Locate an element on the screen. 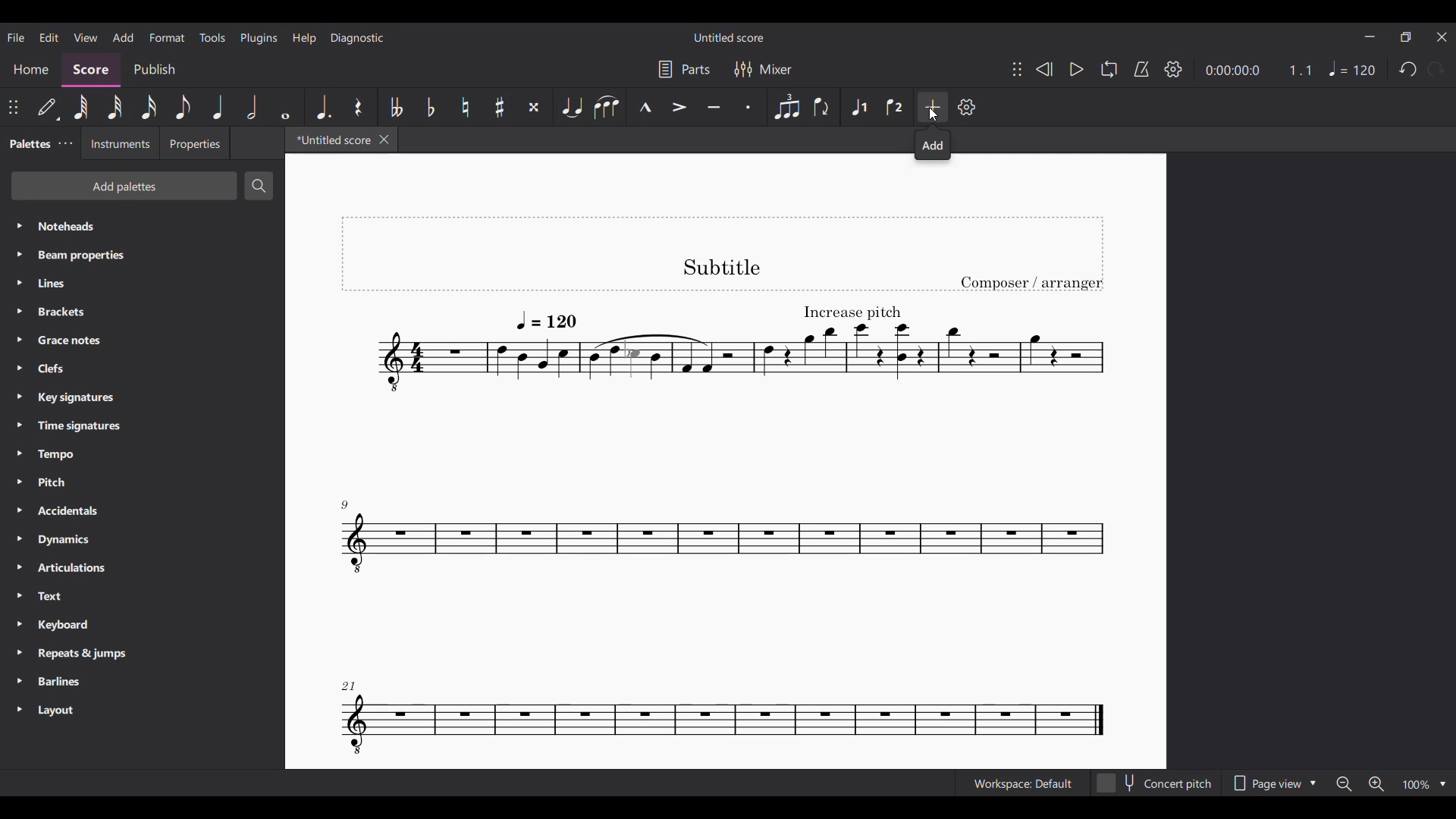 The image size is (1456, 819). 64th note is located at coordinates (81, 107).